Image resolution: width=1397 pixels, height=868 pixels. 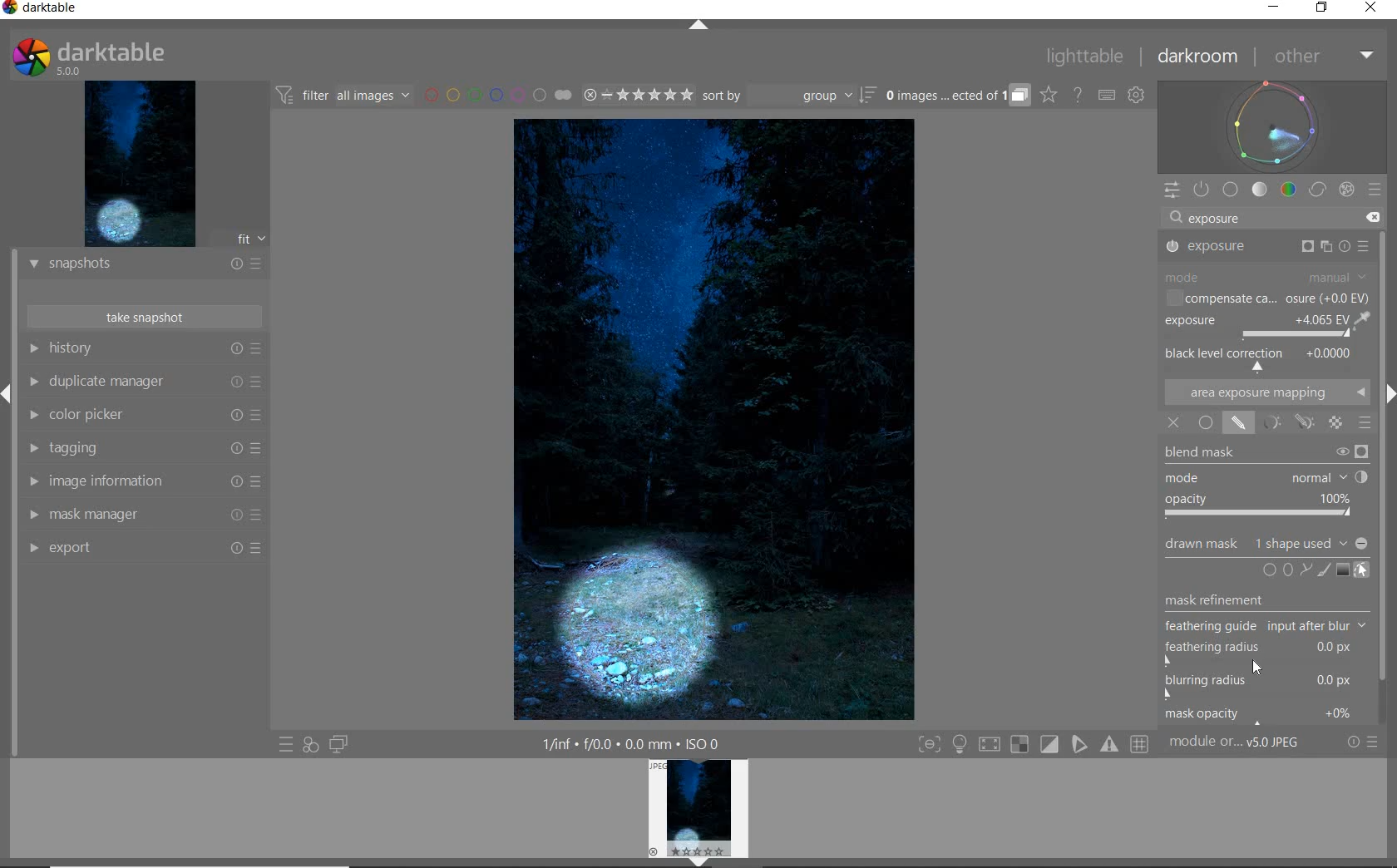 I want to click on RESTORE, so click(x=1322, y=8).